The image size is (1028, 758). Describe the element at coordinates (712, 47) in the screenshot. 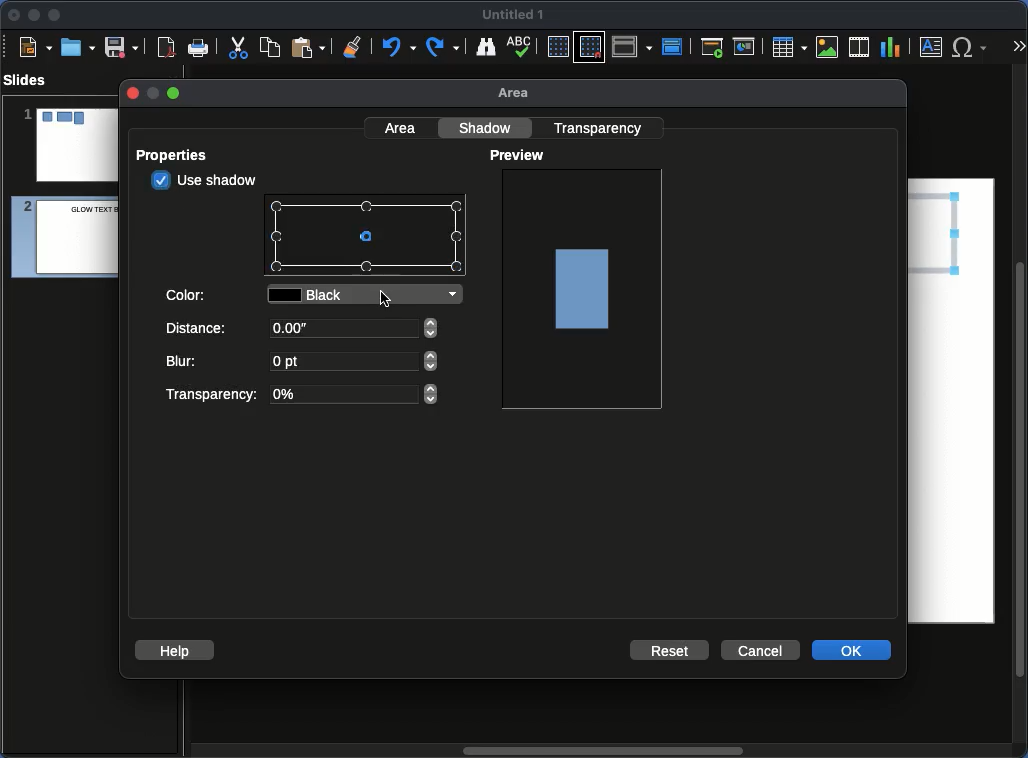

I see `First slide` at that location.